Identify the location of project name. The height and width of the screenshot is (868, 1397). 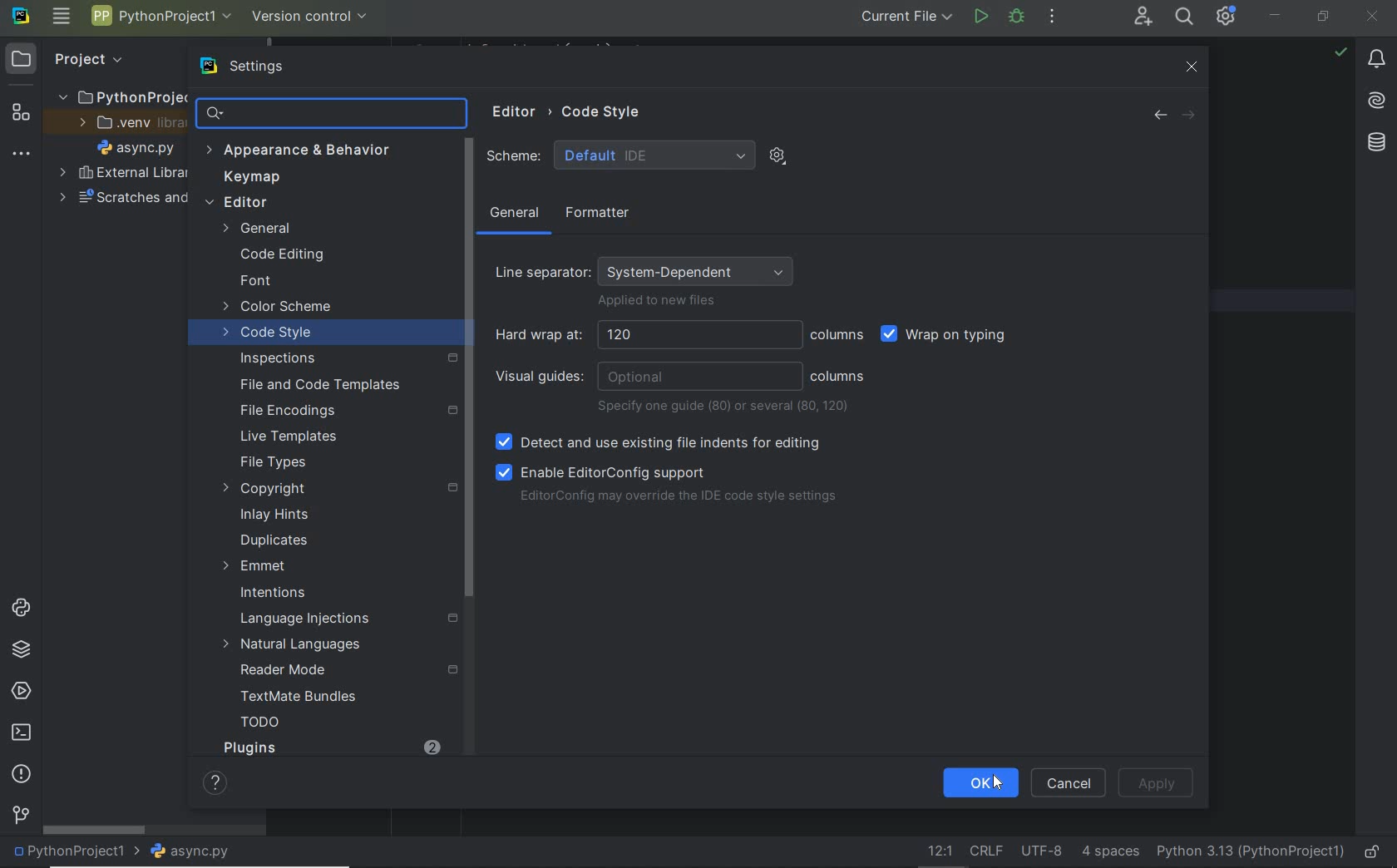
(162, 16).